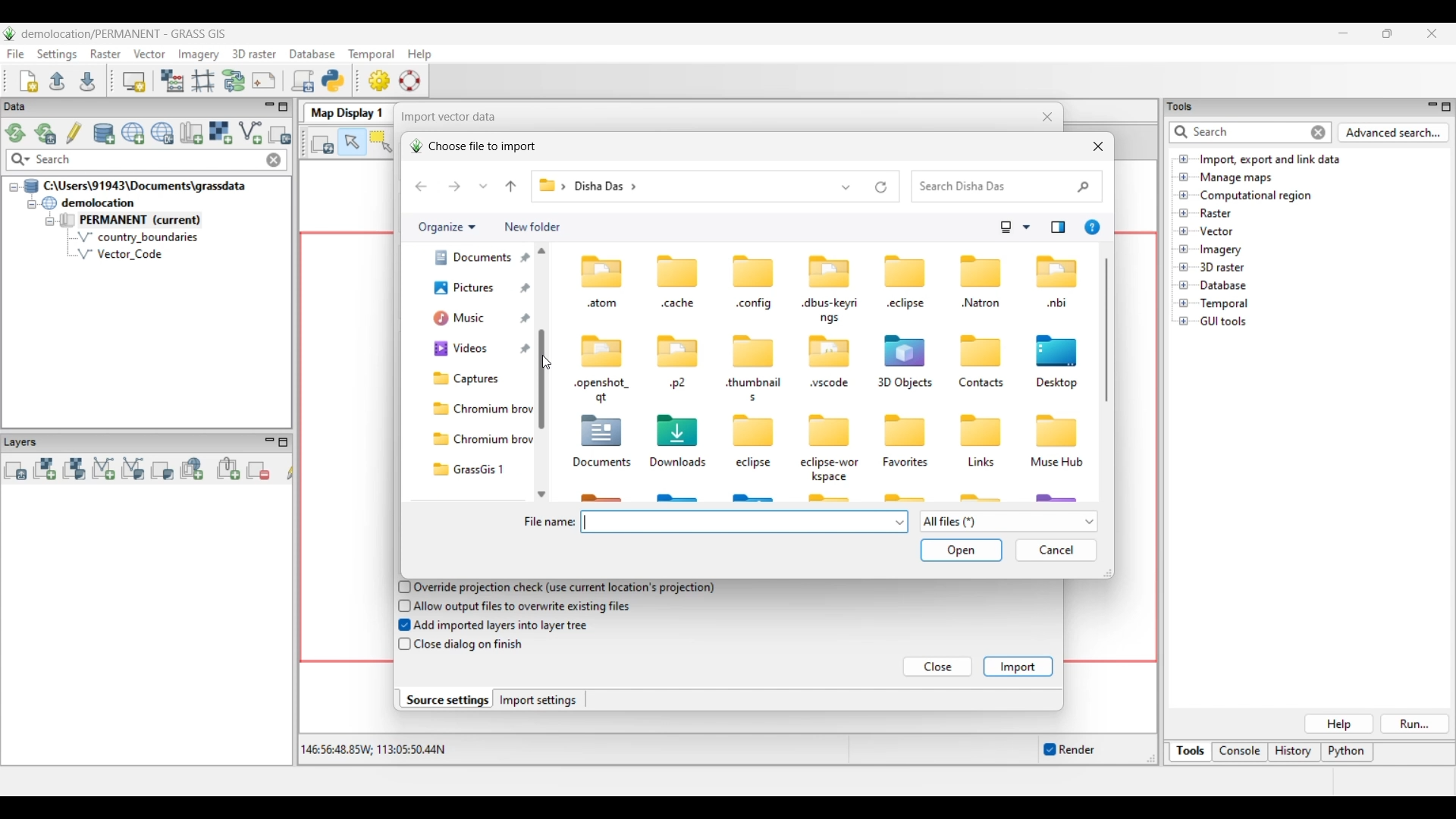 Image resolution: width=1456 pixels, height=819 pixels. I want to click on Minimize Layers panel, so click(269, 442).